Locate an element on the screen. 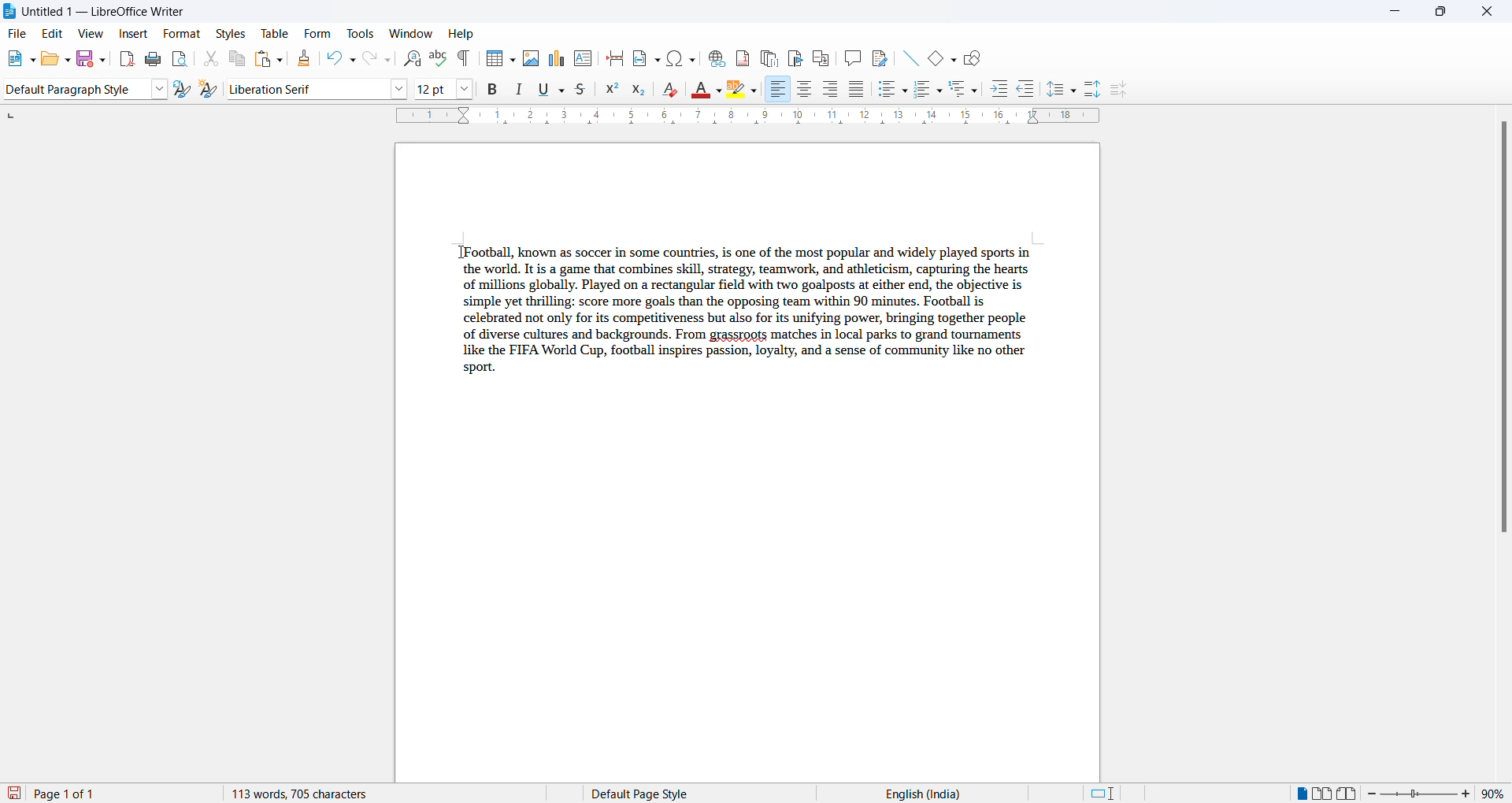 This screenshot has height=803, width=1512. basic shapes is located at coordinates (934, 60).